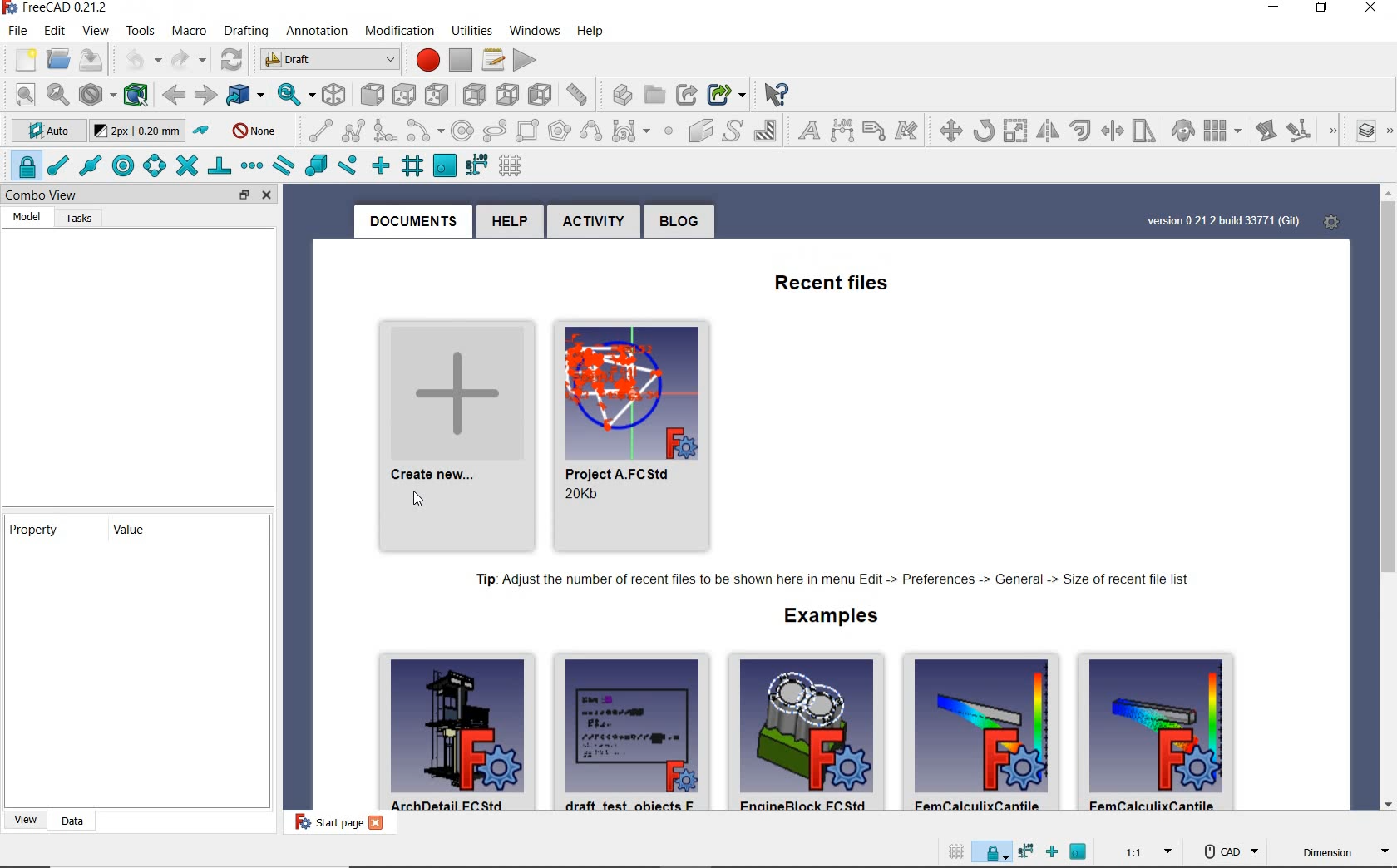 The width and height of the screenshot is (1397, 868). Describe the element at coordinates (413, 165) in the screenshot. I see `snap grid` at that location.